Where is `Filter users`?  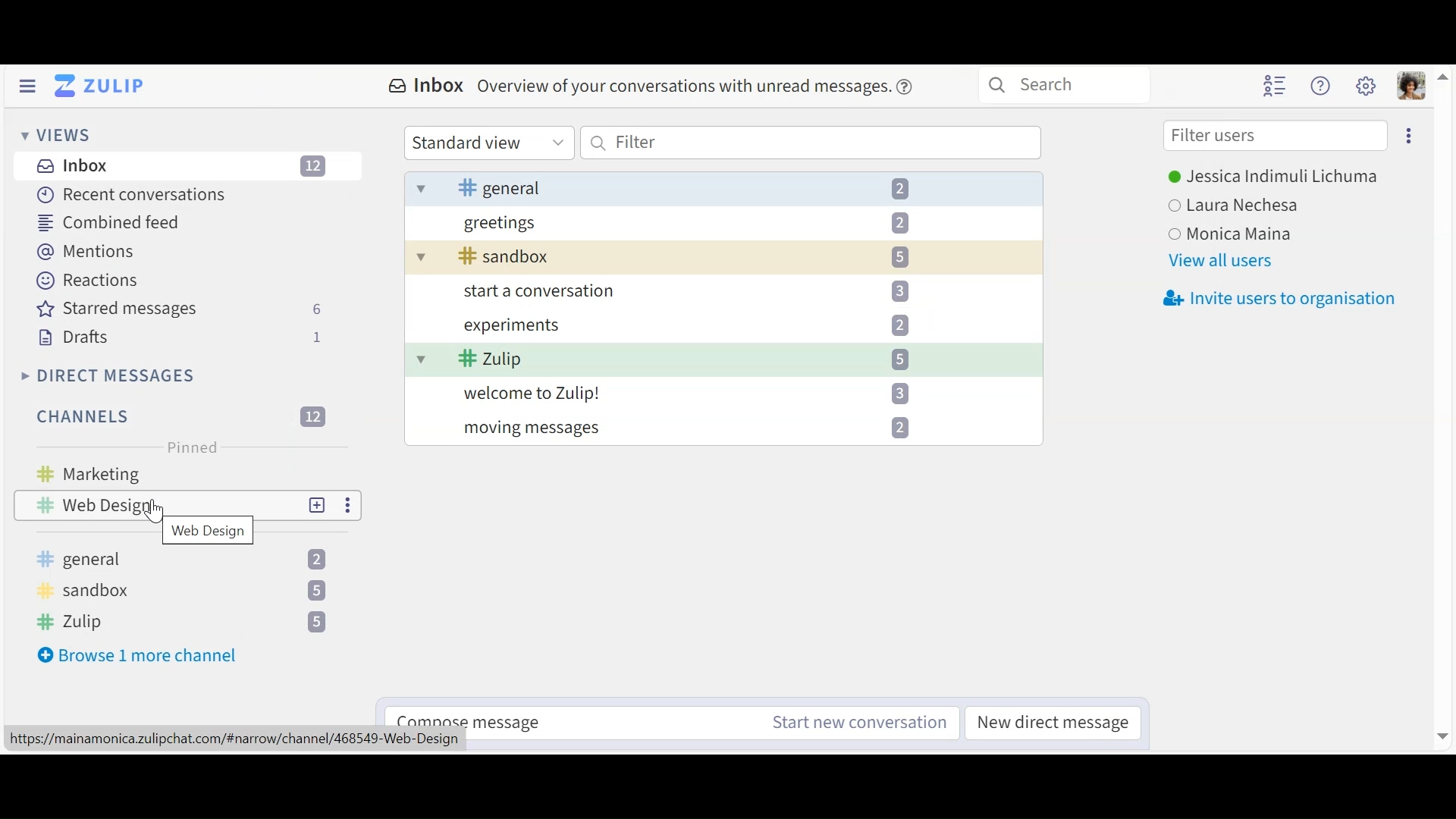 Filter users is located at coordinates (1276, 136).